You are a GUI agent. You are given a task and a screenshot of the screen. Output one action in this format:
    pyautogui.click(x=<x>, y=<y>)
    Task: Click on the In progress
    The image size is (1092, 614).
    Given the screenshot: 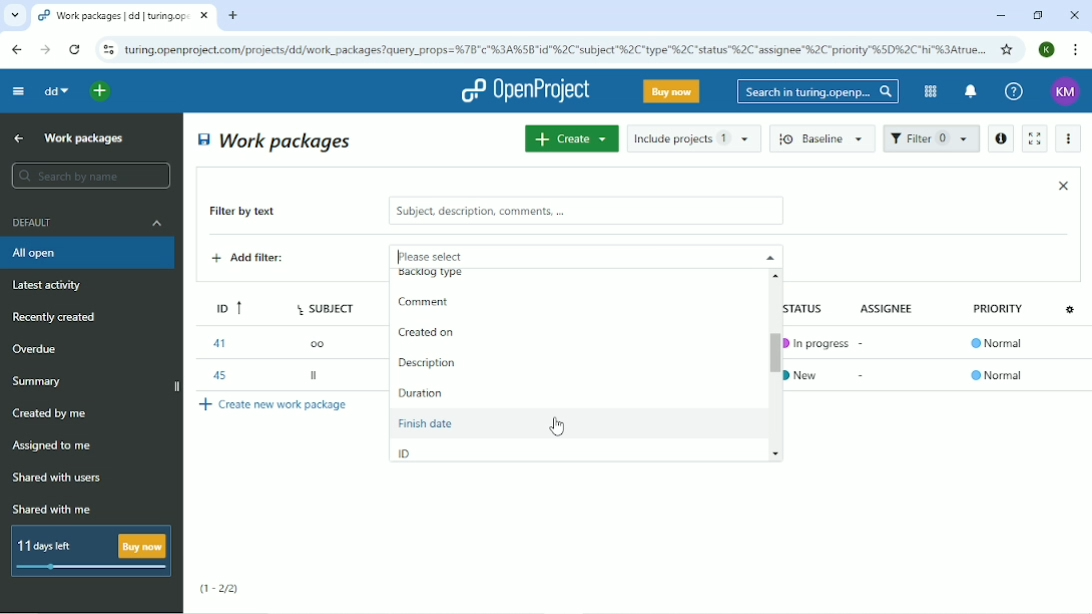 What is the action you would take?
    pyautogui.click(x=816, y=343)
    